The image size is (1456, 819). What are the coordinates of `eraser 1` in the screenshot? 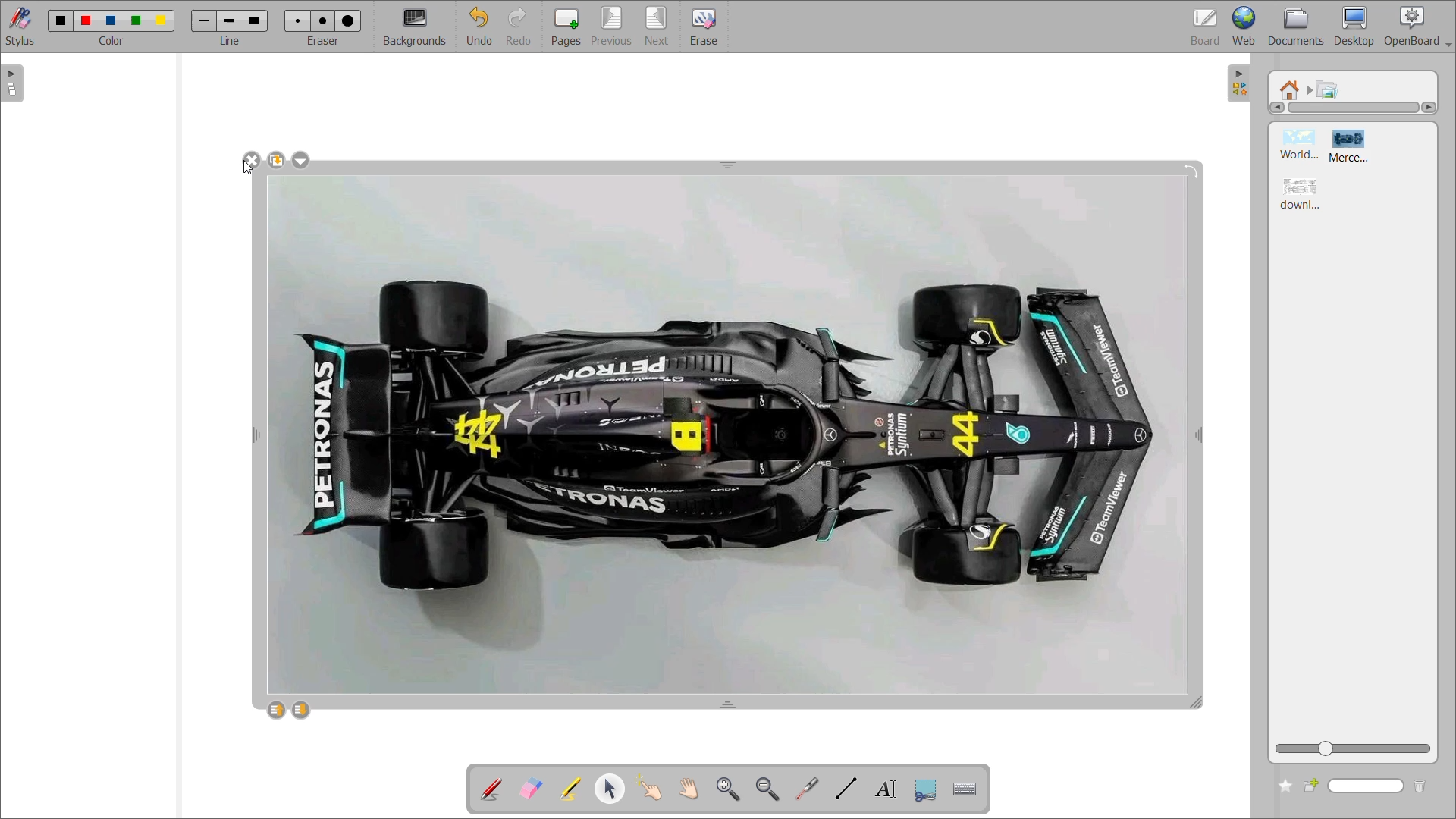 It's located at (298, 20).